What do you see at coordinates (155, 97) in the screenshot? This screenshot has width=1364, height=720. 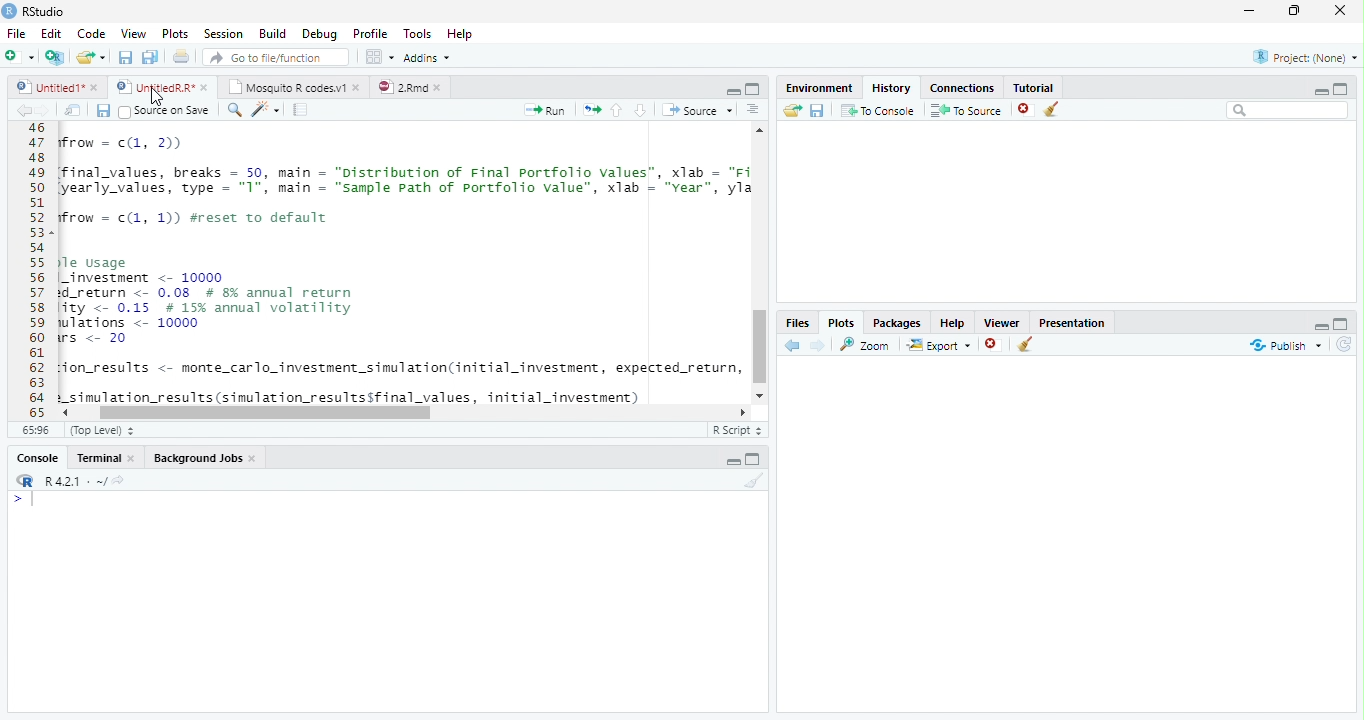 I see `Mouse Cursor` at bounding box center [155, 97].